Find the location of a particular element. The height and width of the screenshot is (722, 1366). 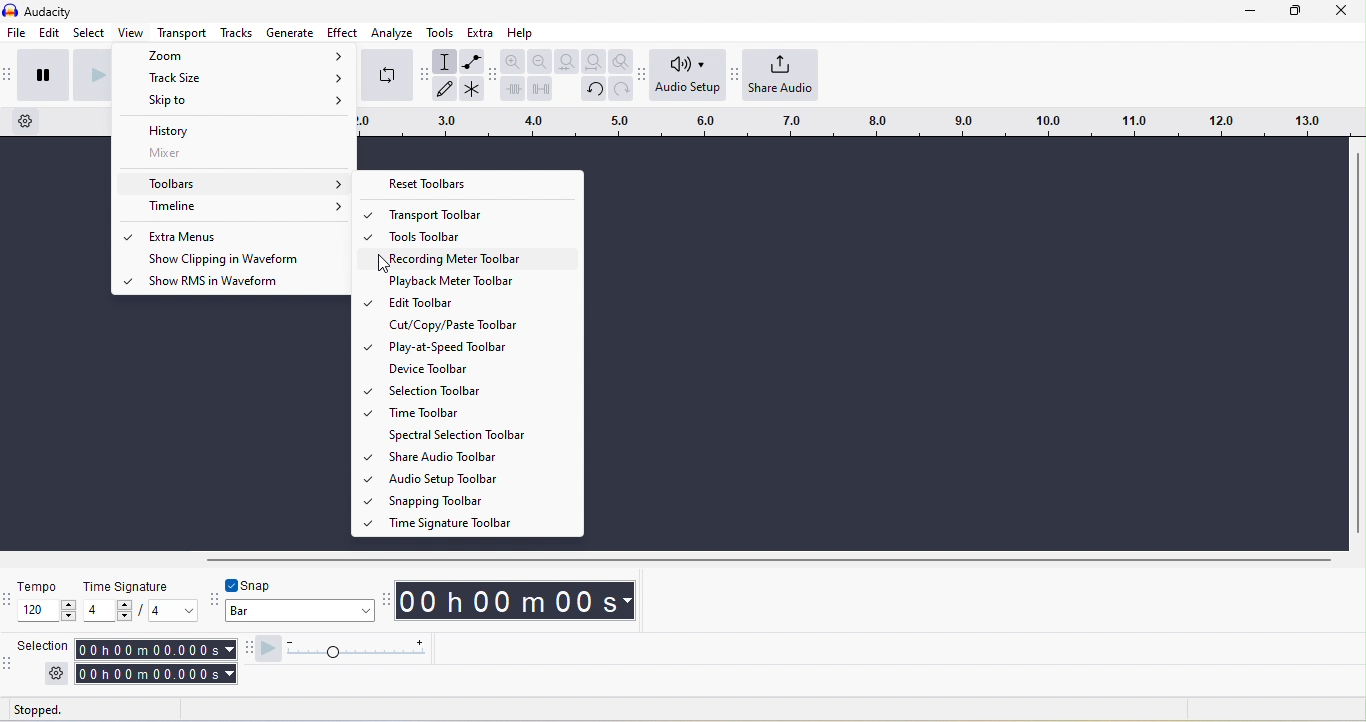

zoom tool is located at coordinates (620, 61).